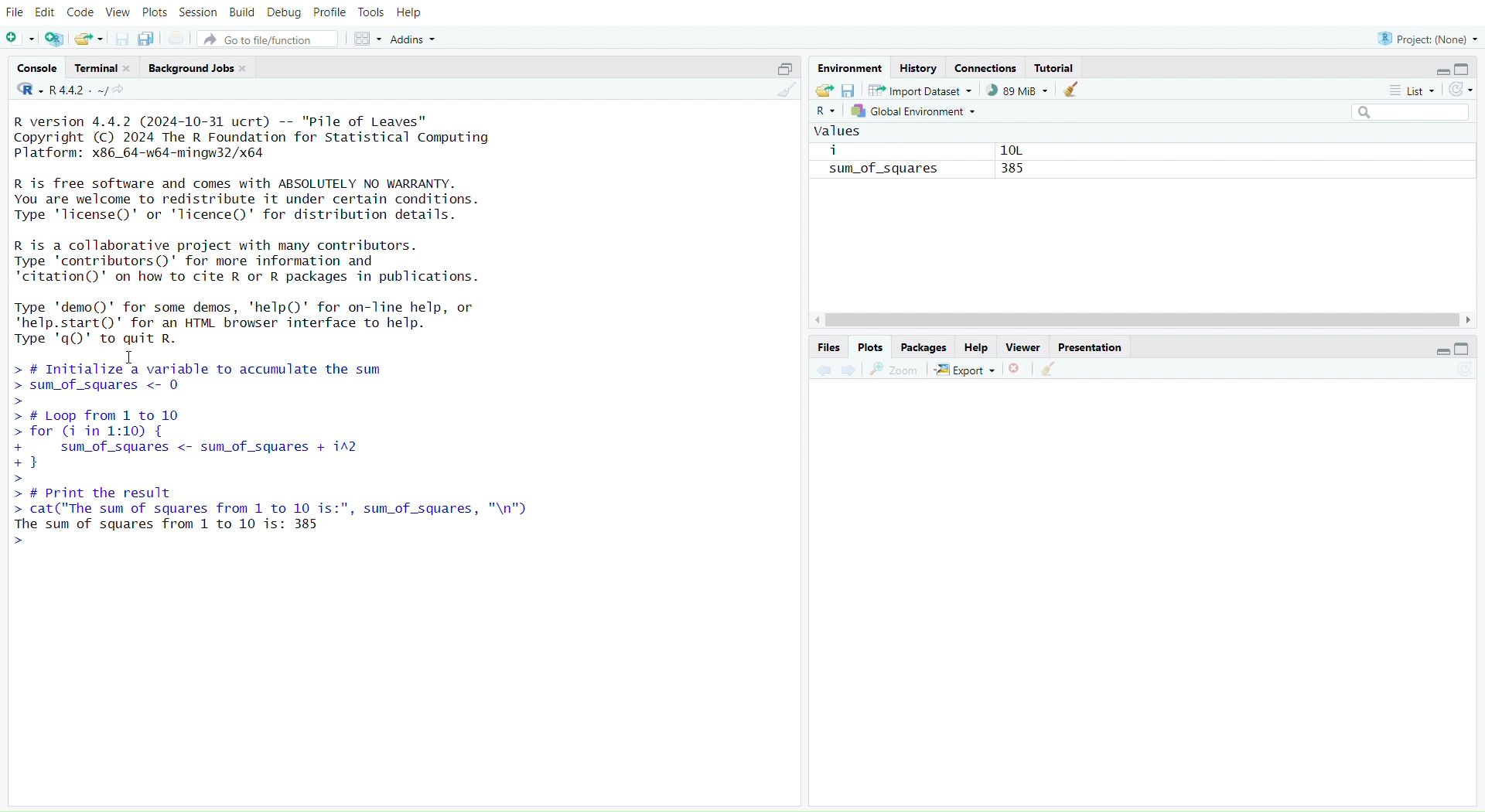 Image resolution: width=1485 pixels, height=812 pixels. I want to click on values, so click(839, 131).